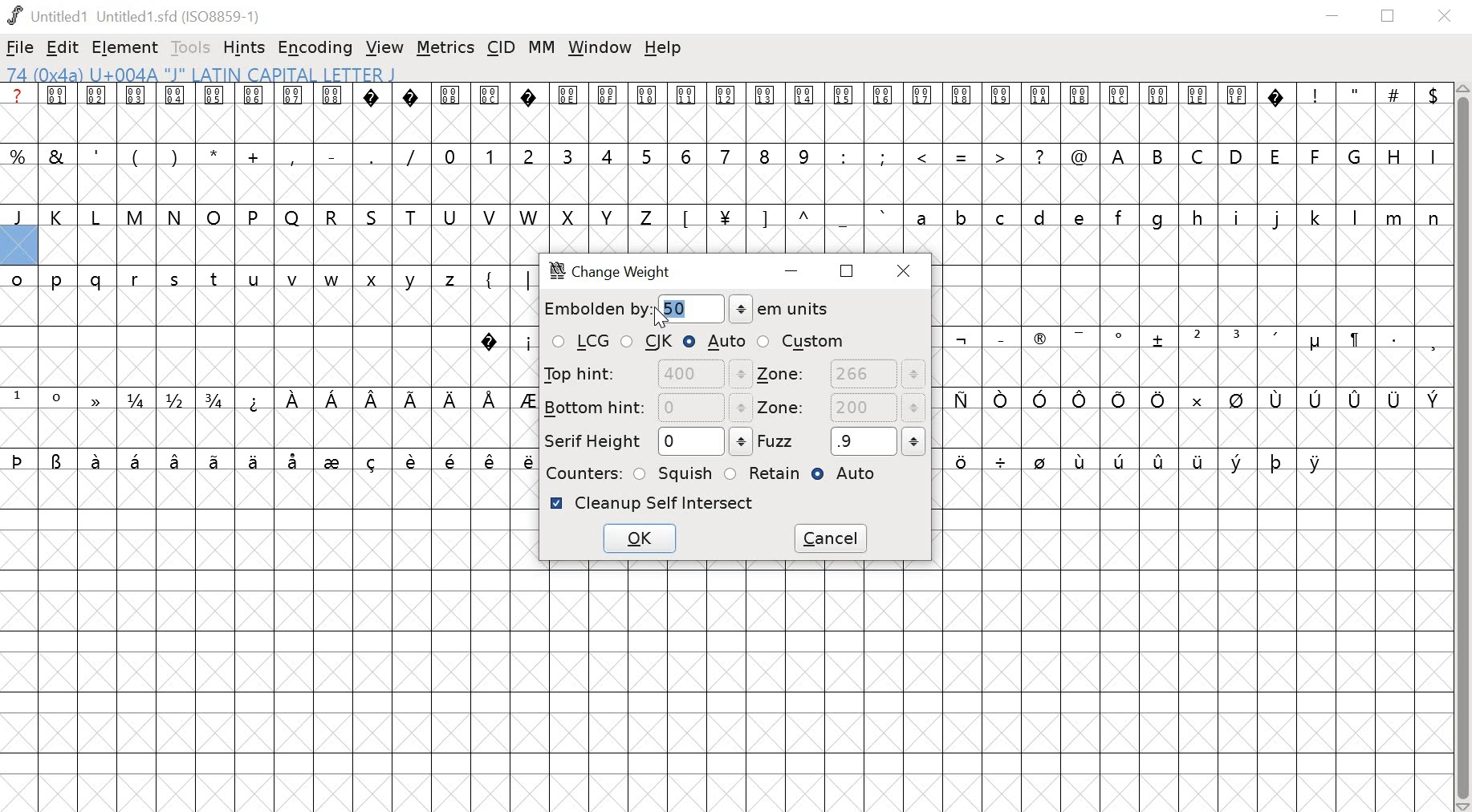  I want to click on Untitled1 (Untitled1.sfd(ISO8859-1), so click(137, 15).